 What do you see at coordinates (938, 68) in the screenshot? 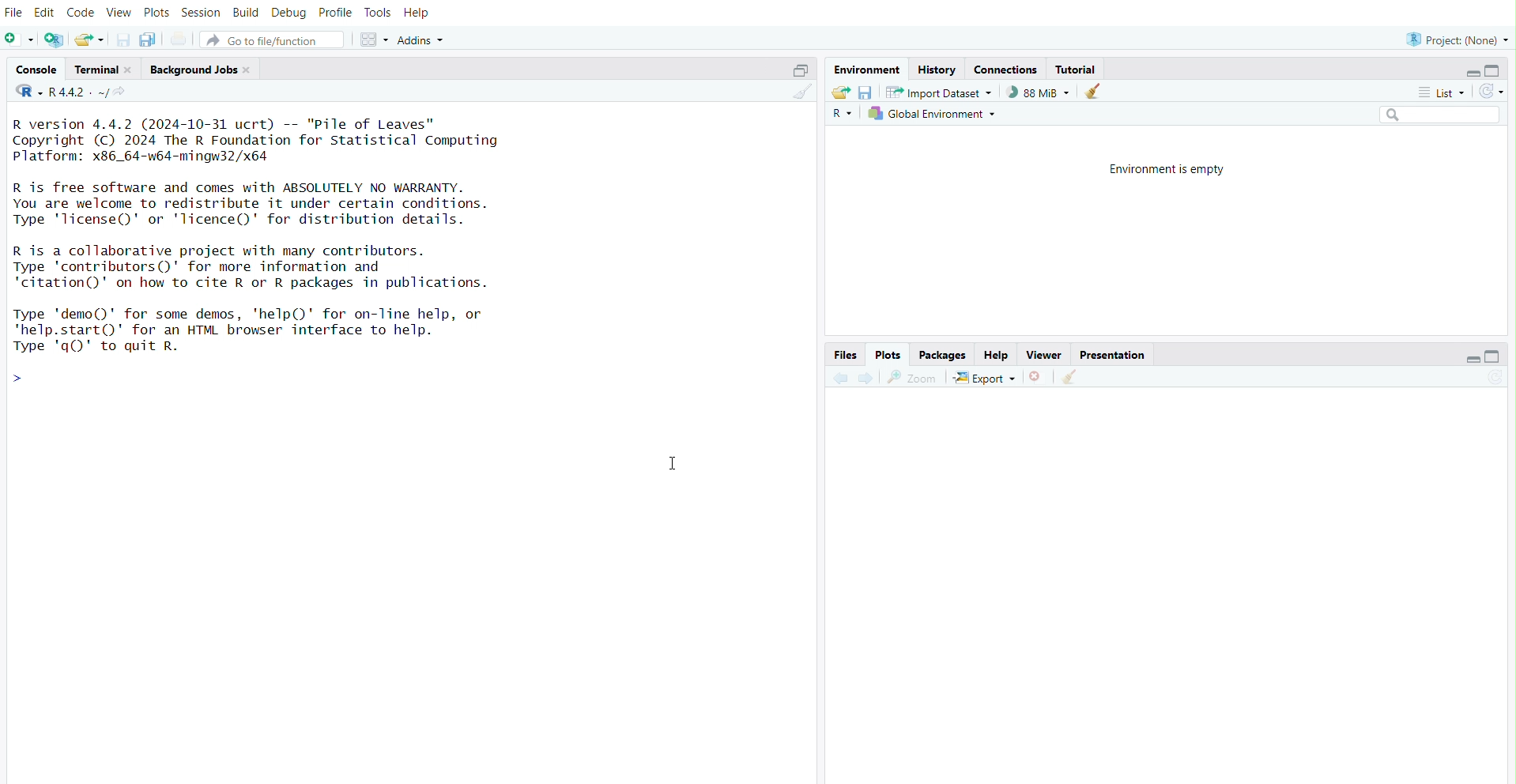
I see `history` at bounding box center [938, 68].